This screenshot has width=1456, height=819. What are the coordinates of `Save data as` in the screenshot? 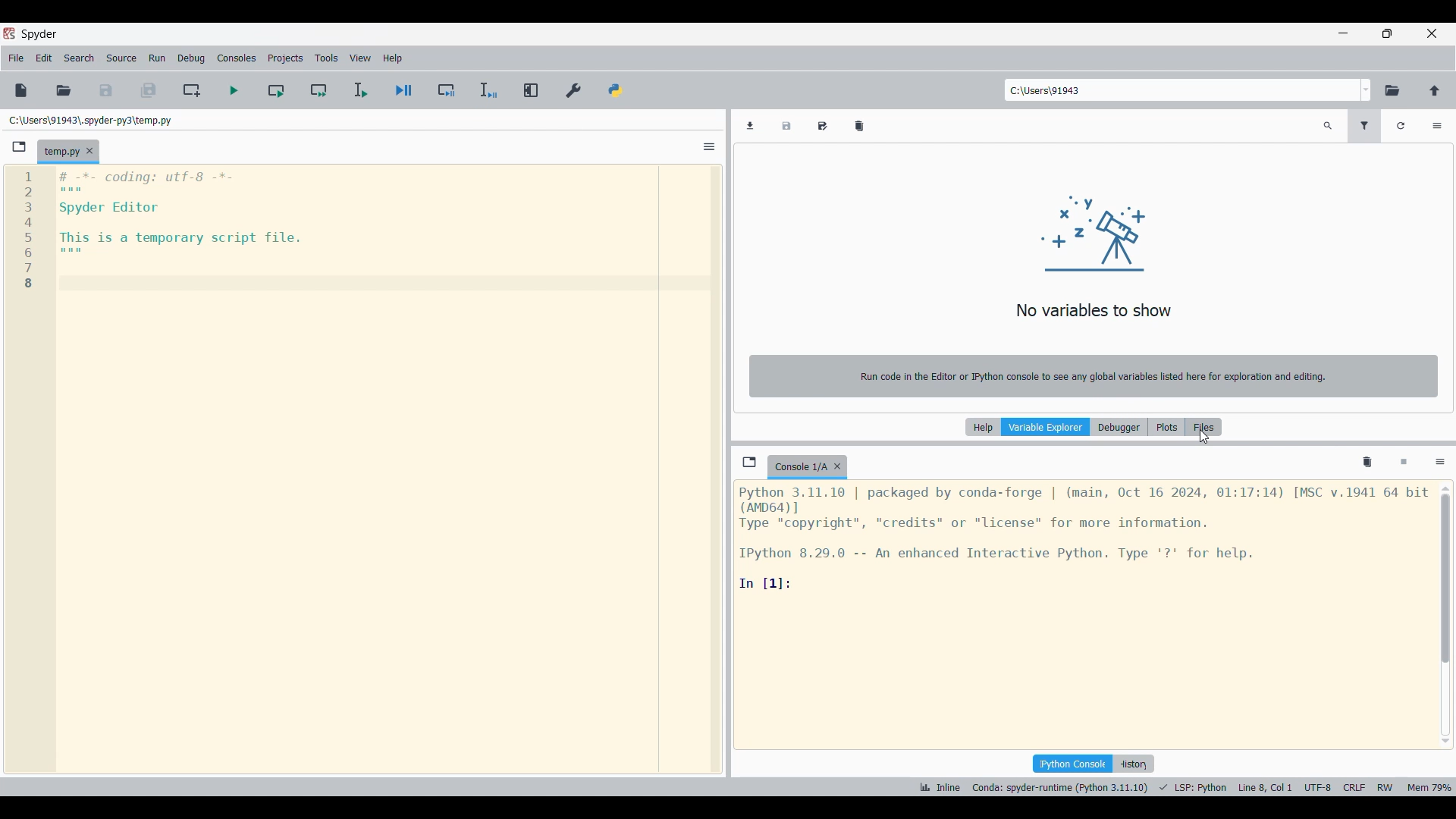 It's located at (822, 126).